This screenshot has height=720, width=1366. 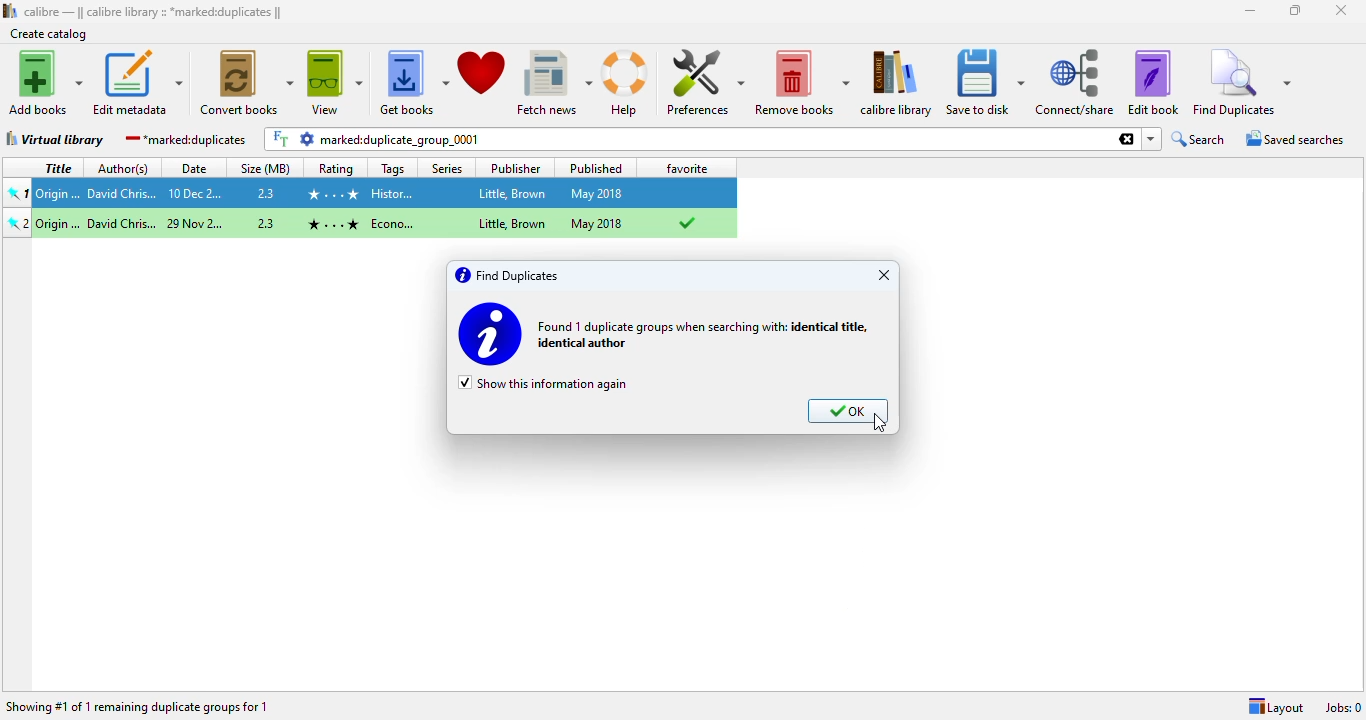 What do you see at coordinates (139, 706) in the screenshot?
I see `showing #1 of 1 remaining duplicate groups for 1` at bounding box center [139, 706].